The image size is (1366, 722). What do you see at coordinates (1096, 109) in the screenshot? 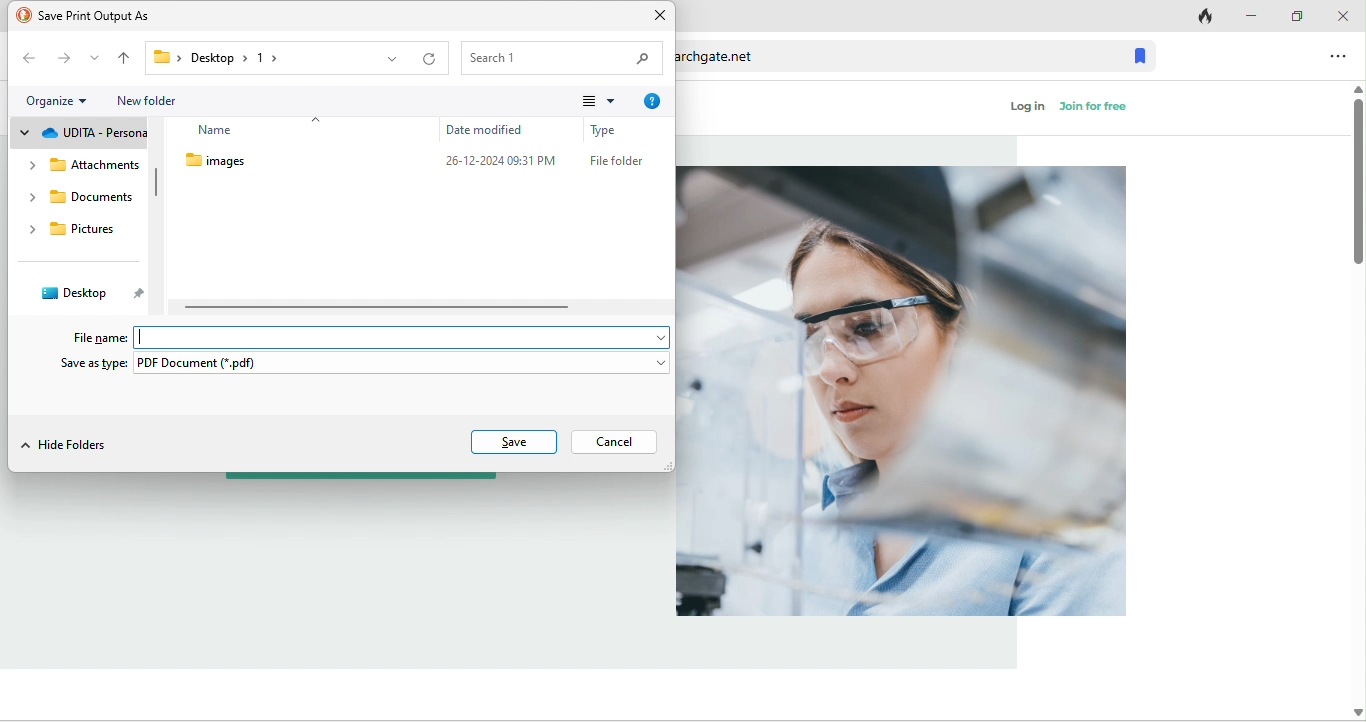
I see `join for free` at bounding box center [1096, 109].